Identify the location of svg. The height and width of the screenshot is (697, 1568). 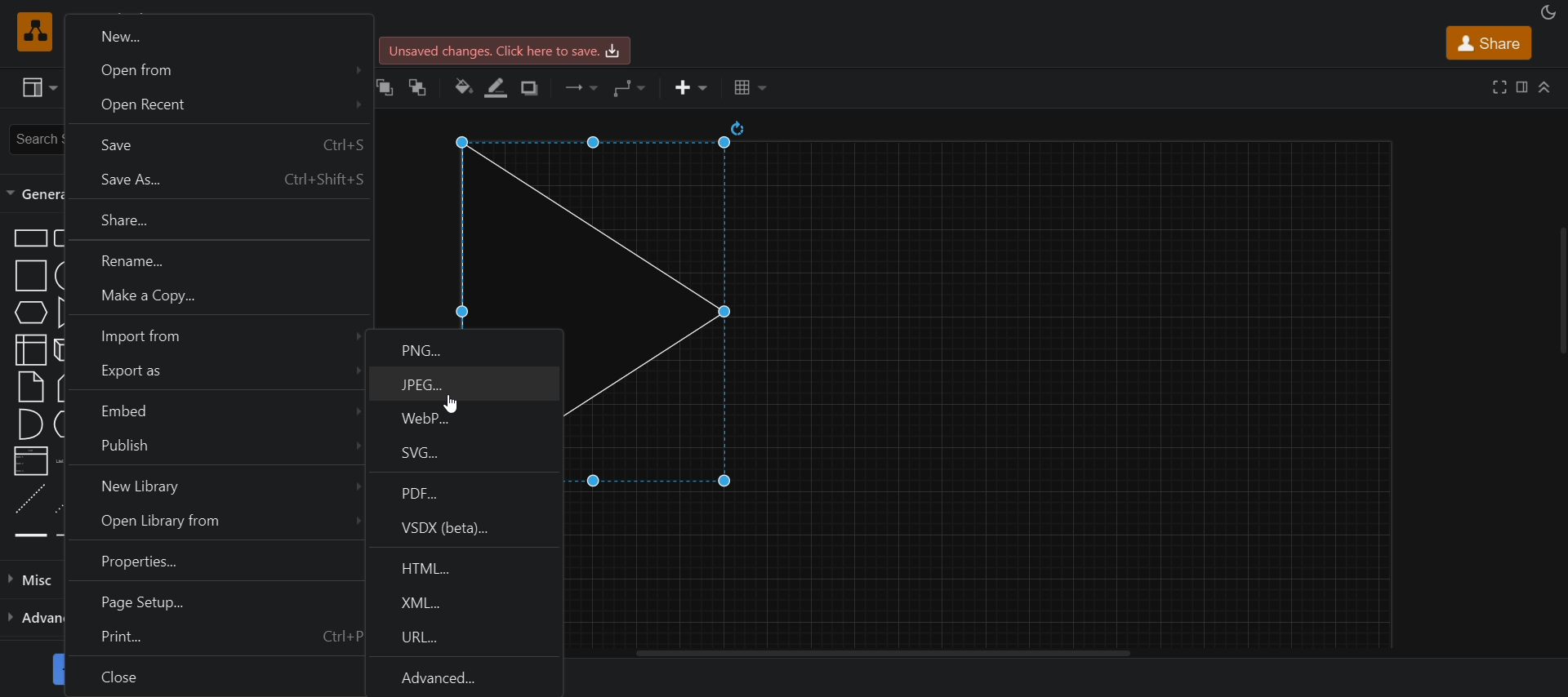
(463, 455).